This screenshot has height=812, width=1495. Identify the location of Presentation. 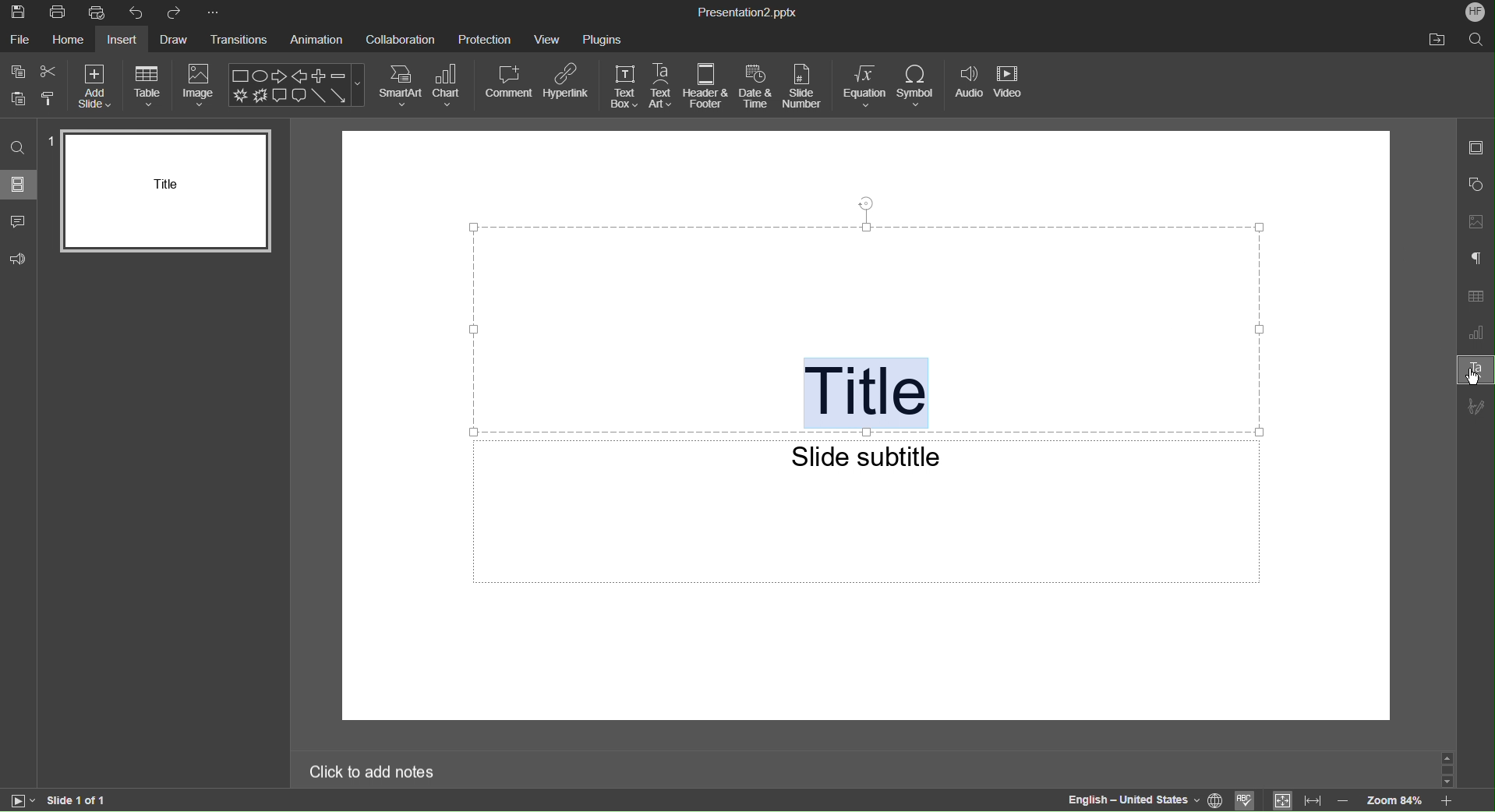
(747, 12).